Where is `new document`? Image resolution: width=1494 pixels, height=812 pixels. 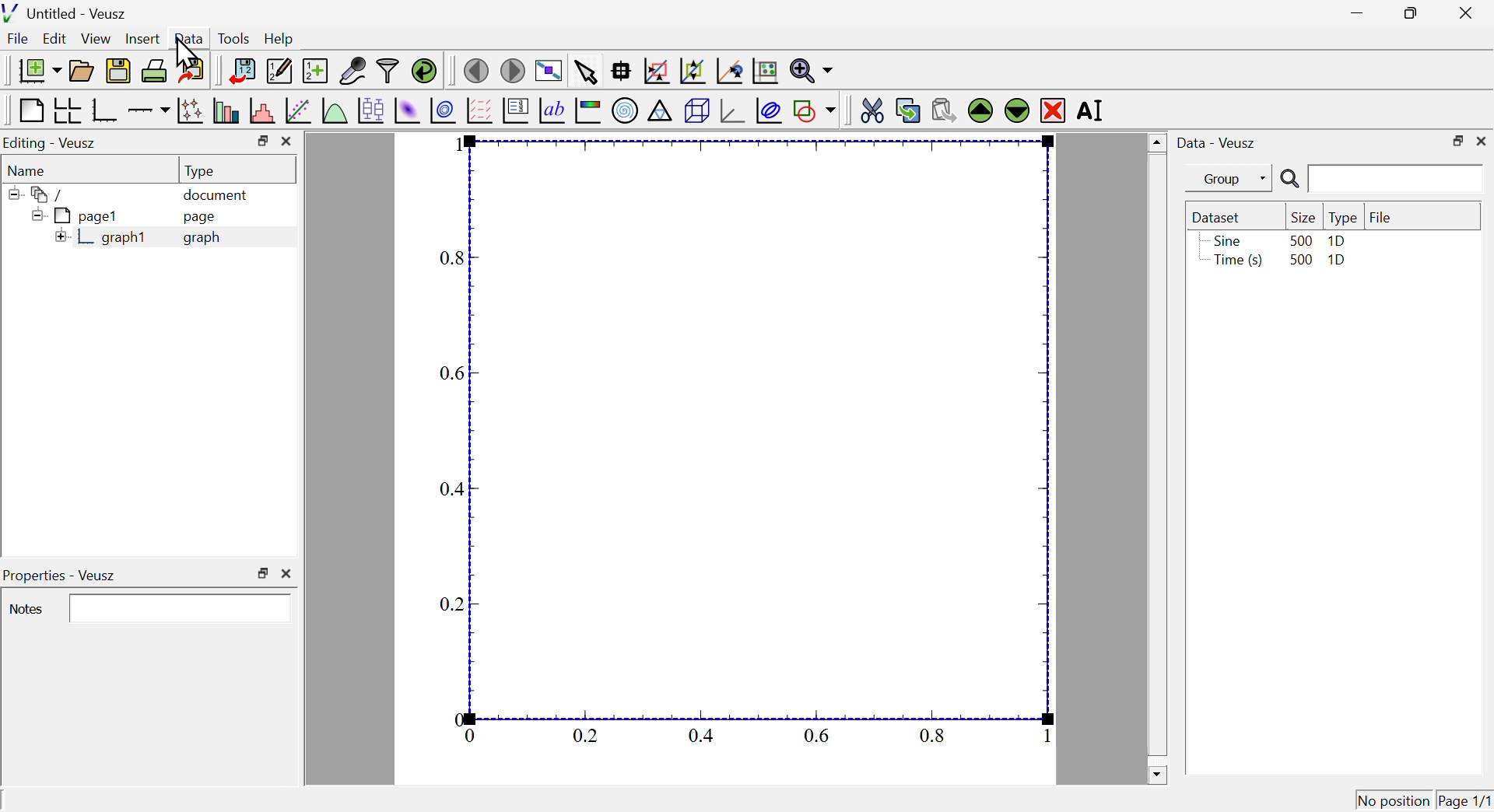
new document is located at coordinates (35, 70).